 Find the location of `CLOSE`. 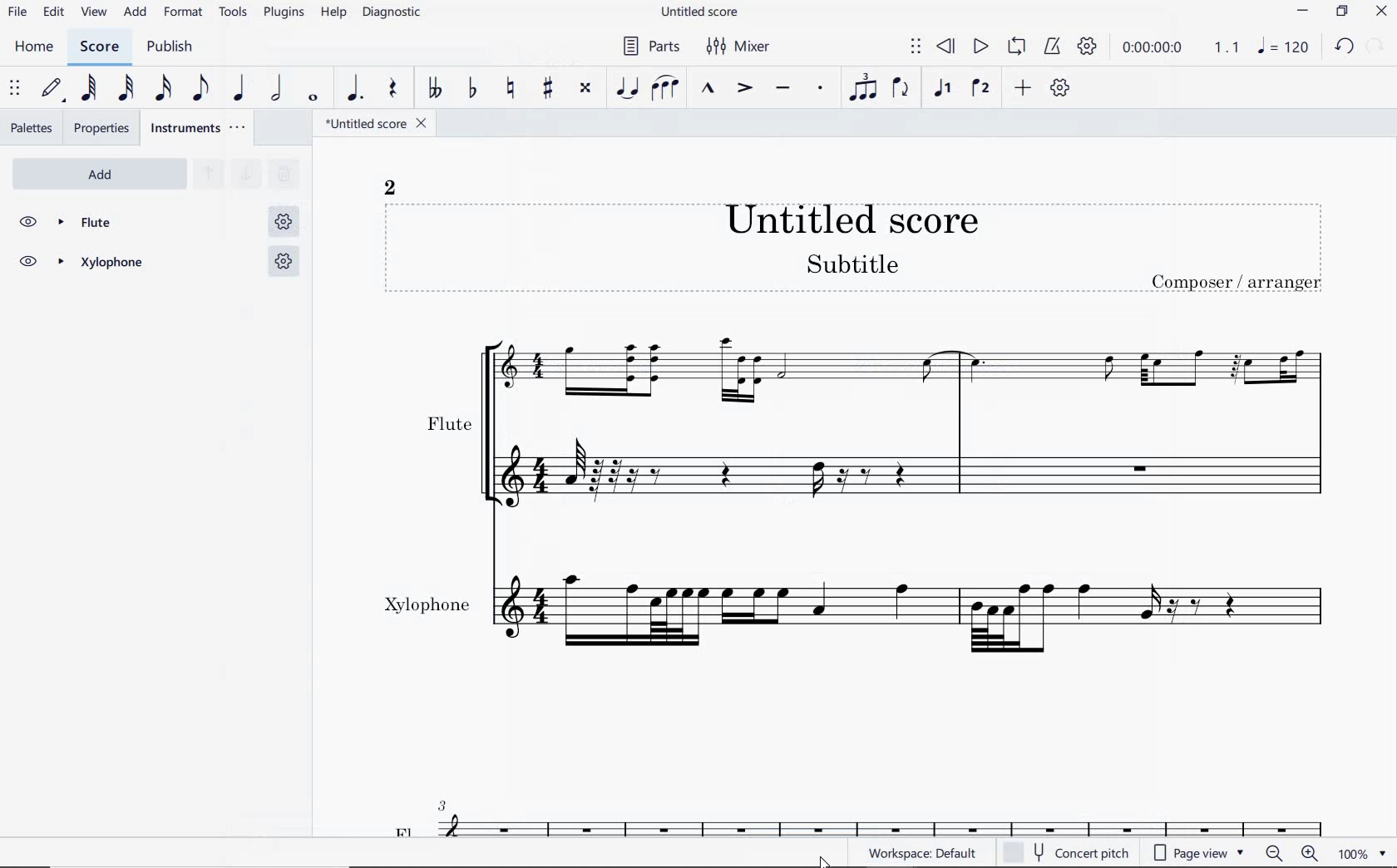

CLOSE is located at coordinates (1380, 11).